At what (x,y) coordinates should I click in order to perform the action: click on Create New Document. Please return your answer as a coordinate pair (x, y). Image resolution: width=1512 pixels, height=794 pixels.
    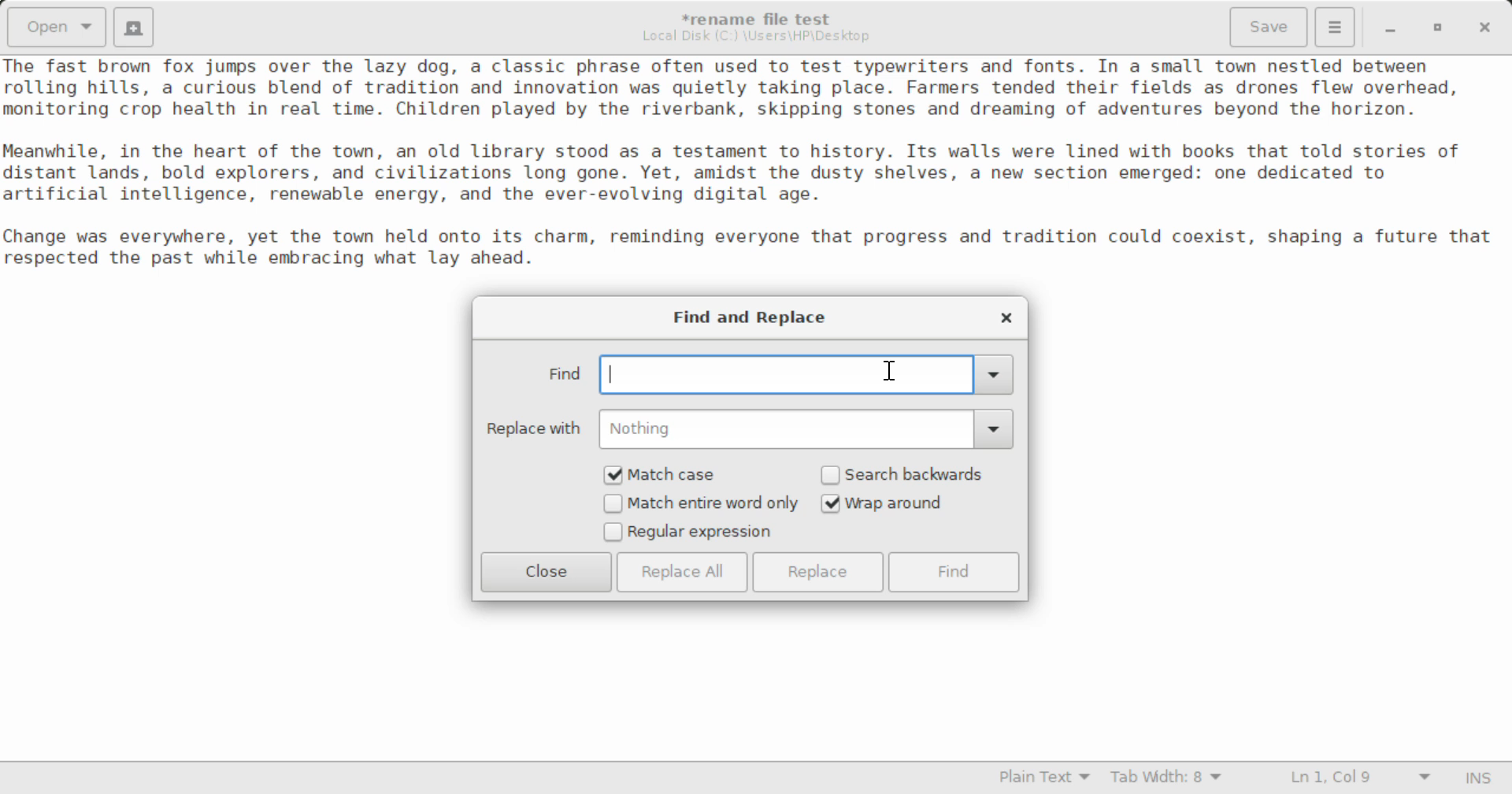
    Looking at the image, I should click on (136, 27).